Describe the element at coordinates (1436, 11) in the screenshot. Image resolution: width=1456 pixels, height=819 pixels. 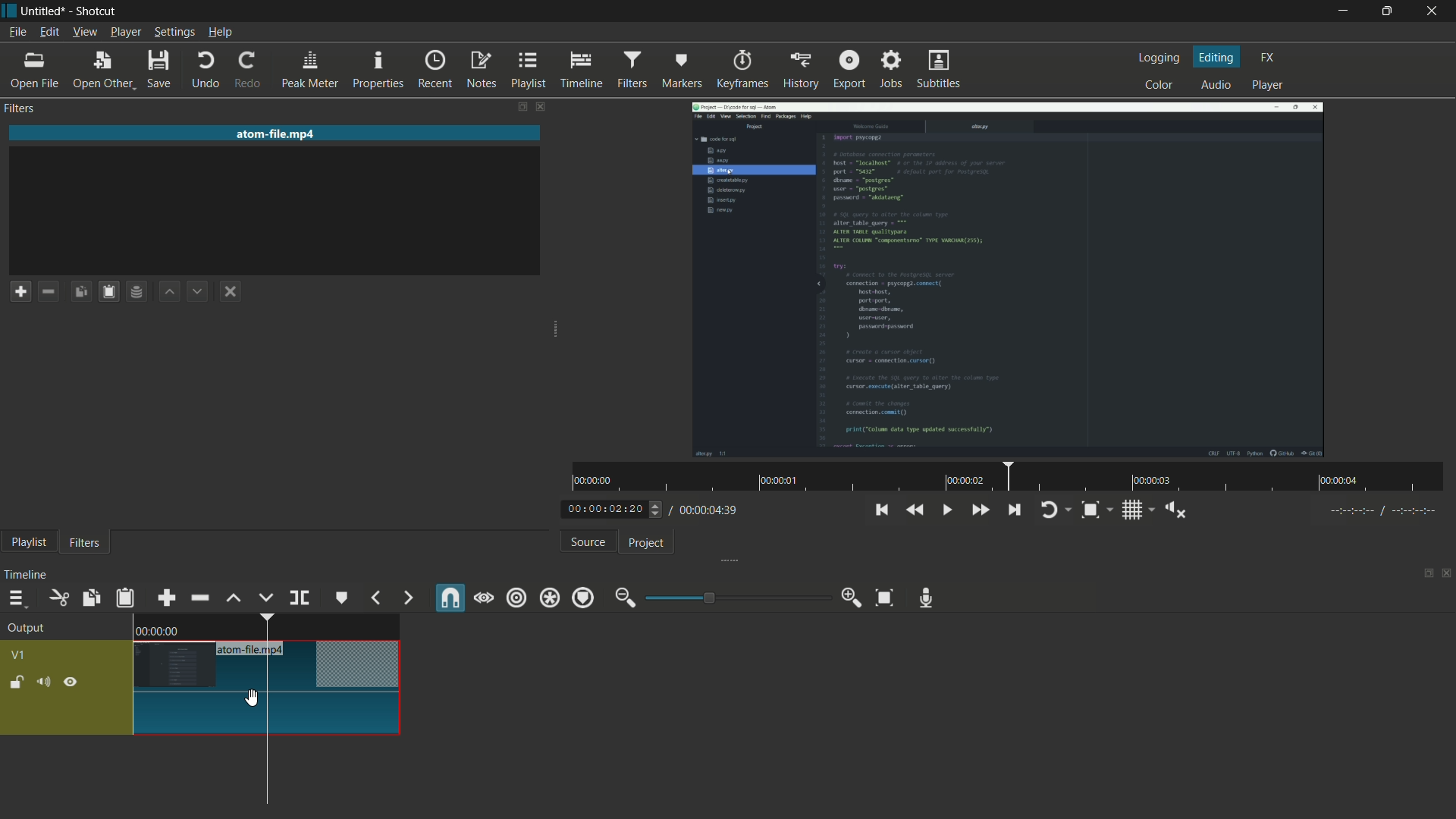
I see `close app` at that location.